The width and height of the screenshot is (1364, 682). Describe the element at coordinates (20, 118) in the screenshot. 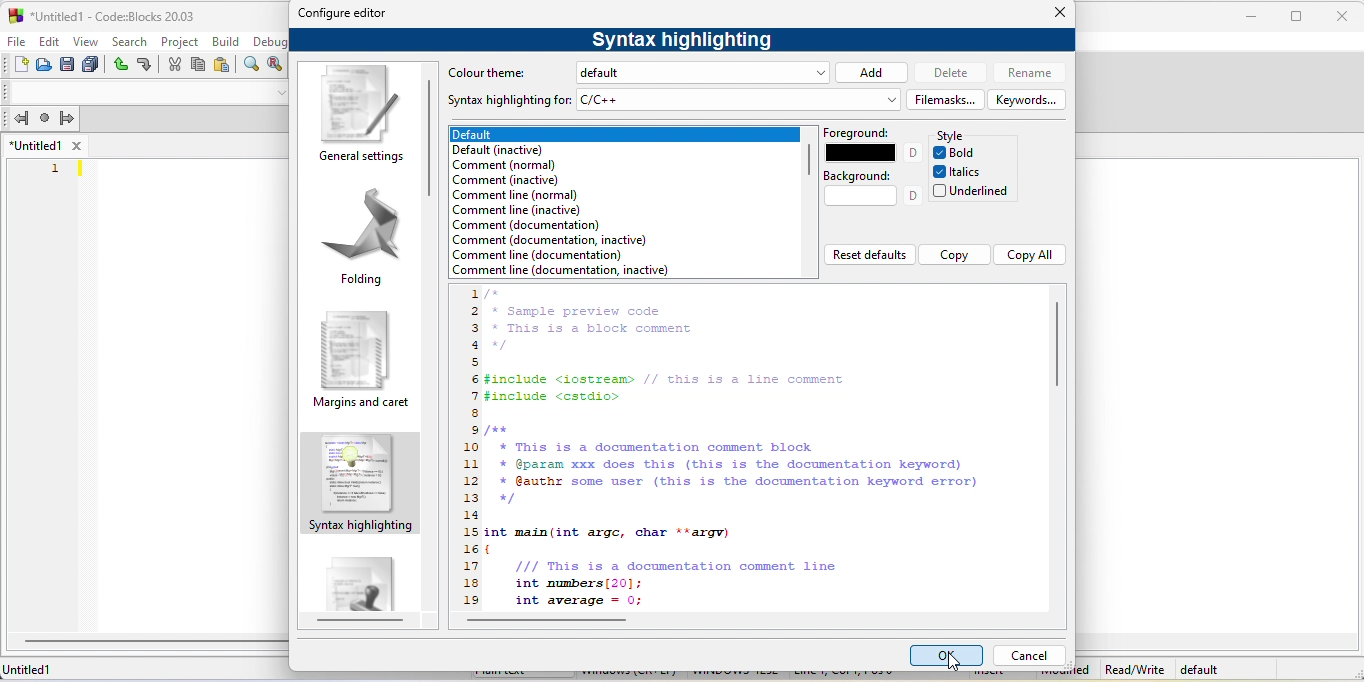

I see `jump back` at that location.